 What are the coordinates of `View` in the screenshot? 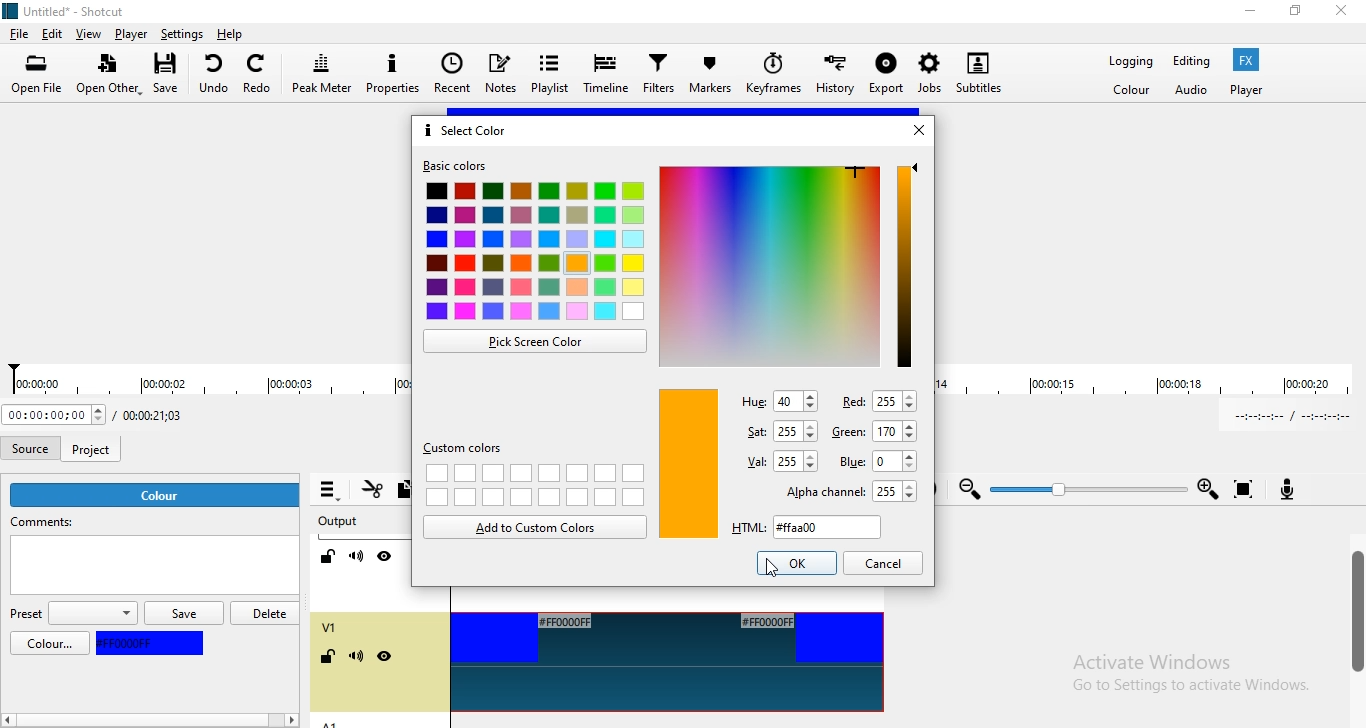 It's located at (89, 33).